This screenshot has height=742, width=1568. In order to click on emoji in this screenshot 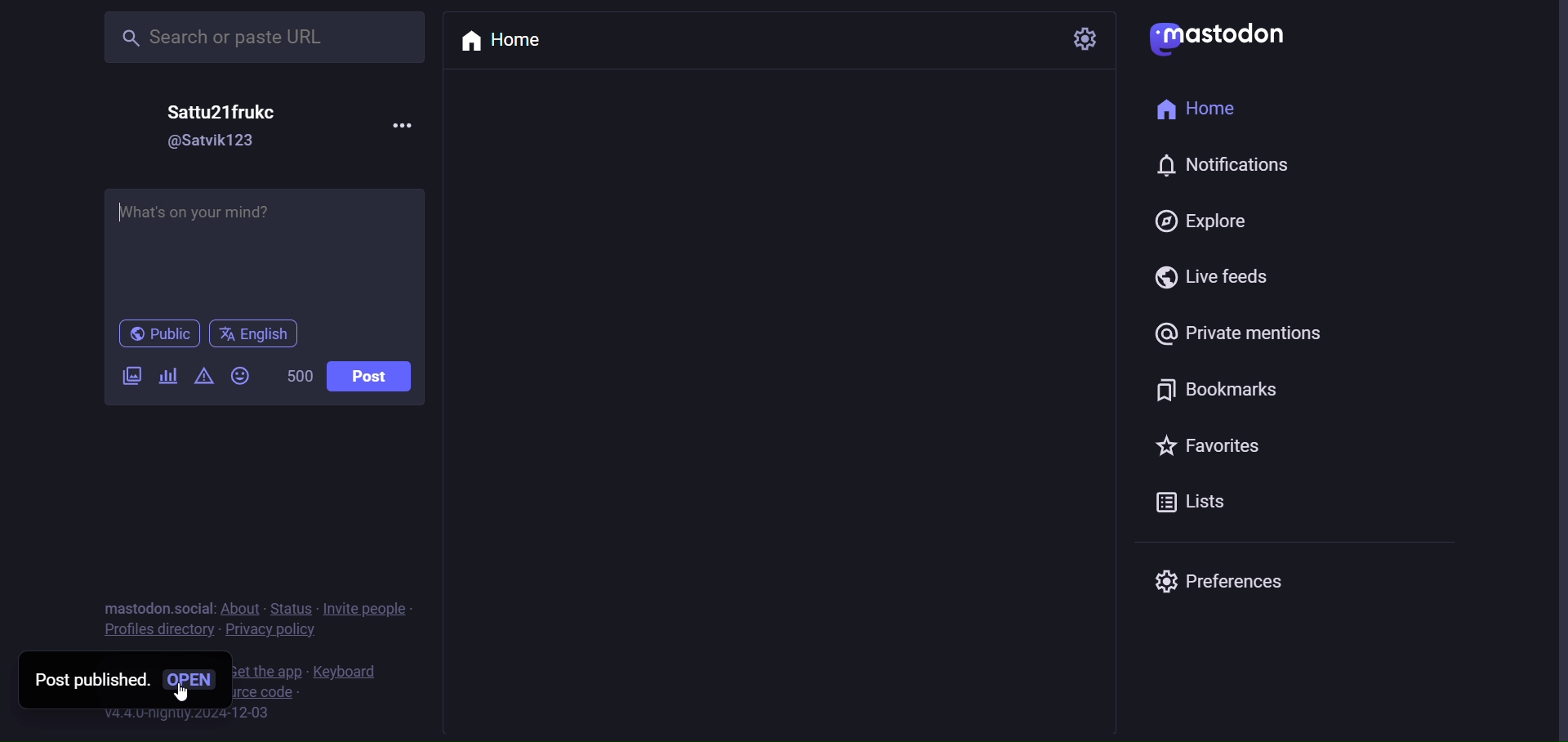, I will do `click(240, 376)`.